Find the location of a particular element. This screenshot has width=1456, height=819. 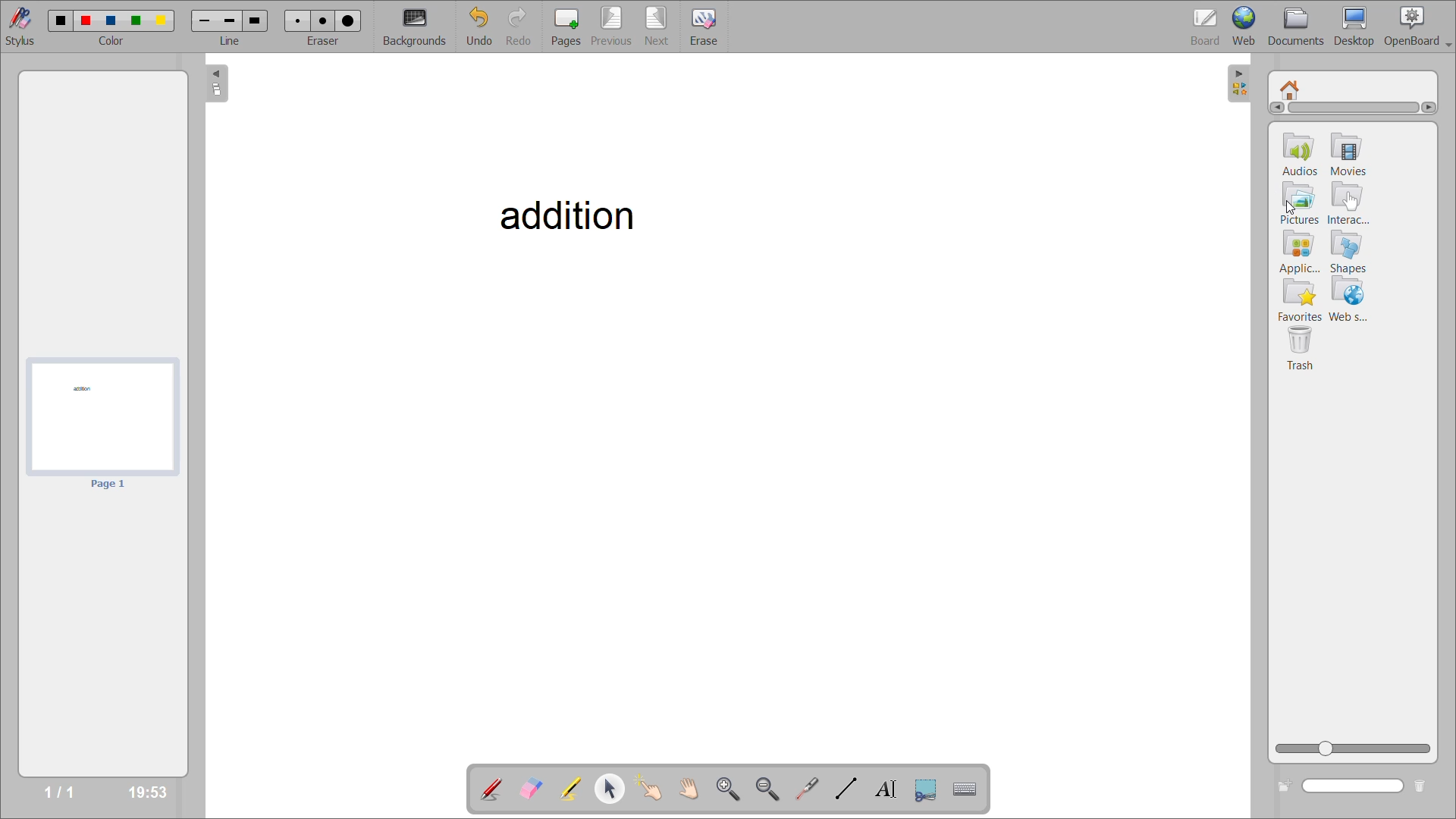

color 1 is located at coordinates (63, 21).